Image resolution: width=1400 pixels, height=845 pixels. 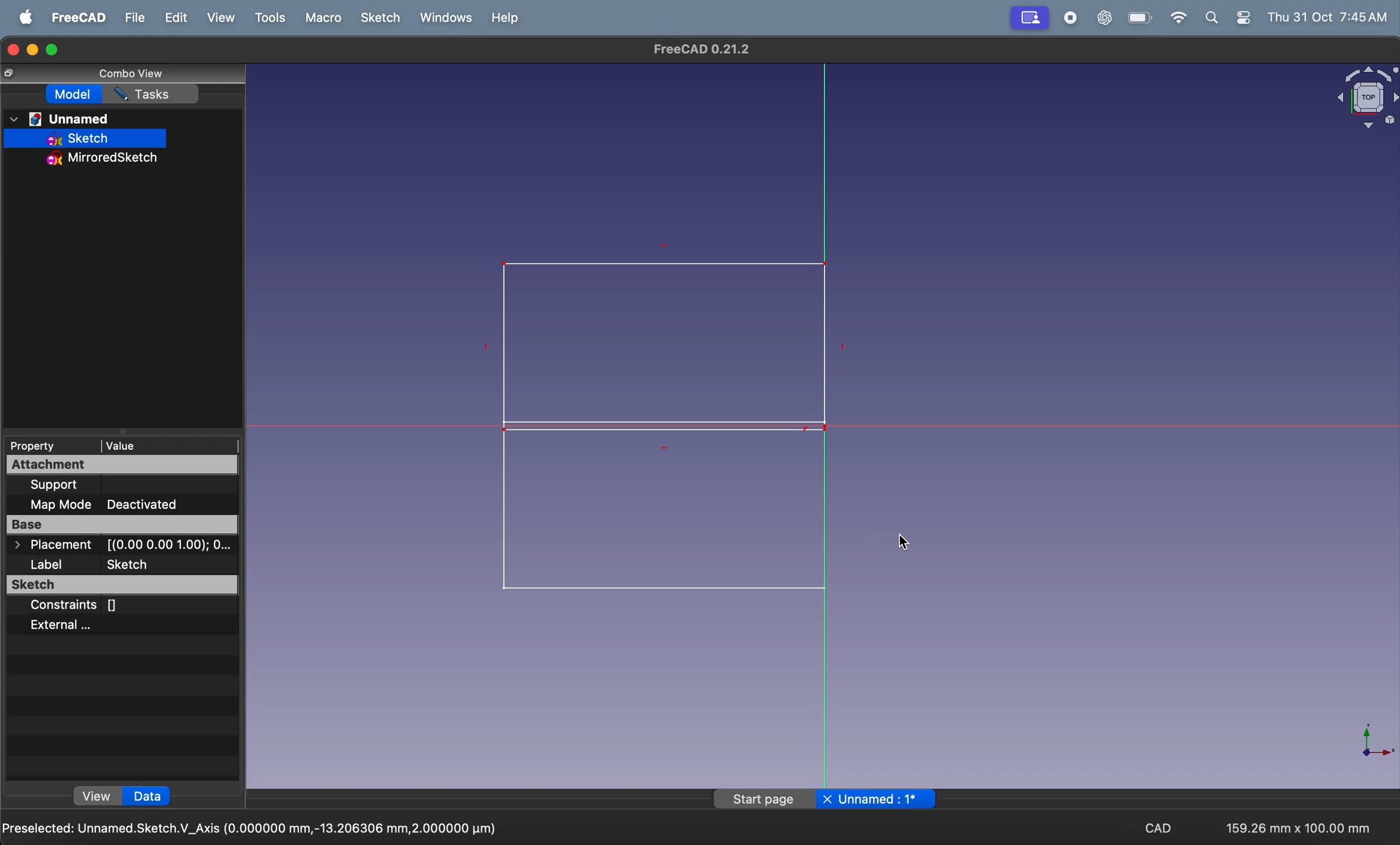 What do you see at coordinates (124, 564) in the screenshot?
I see `label` at bounding box center [124, 564].